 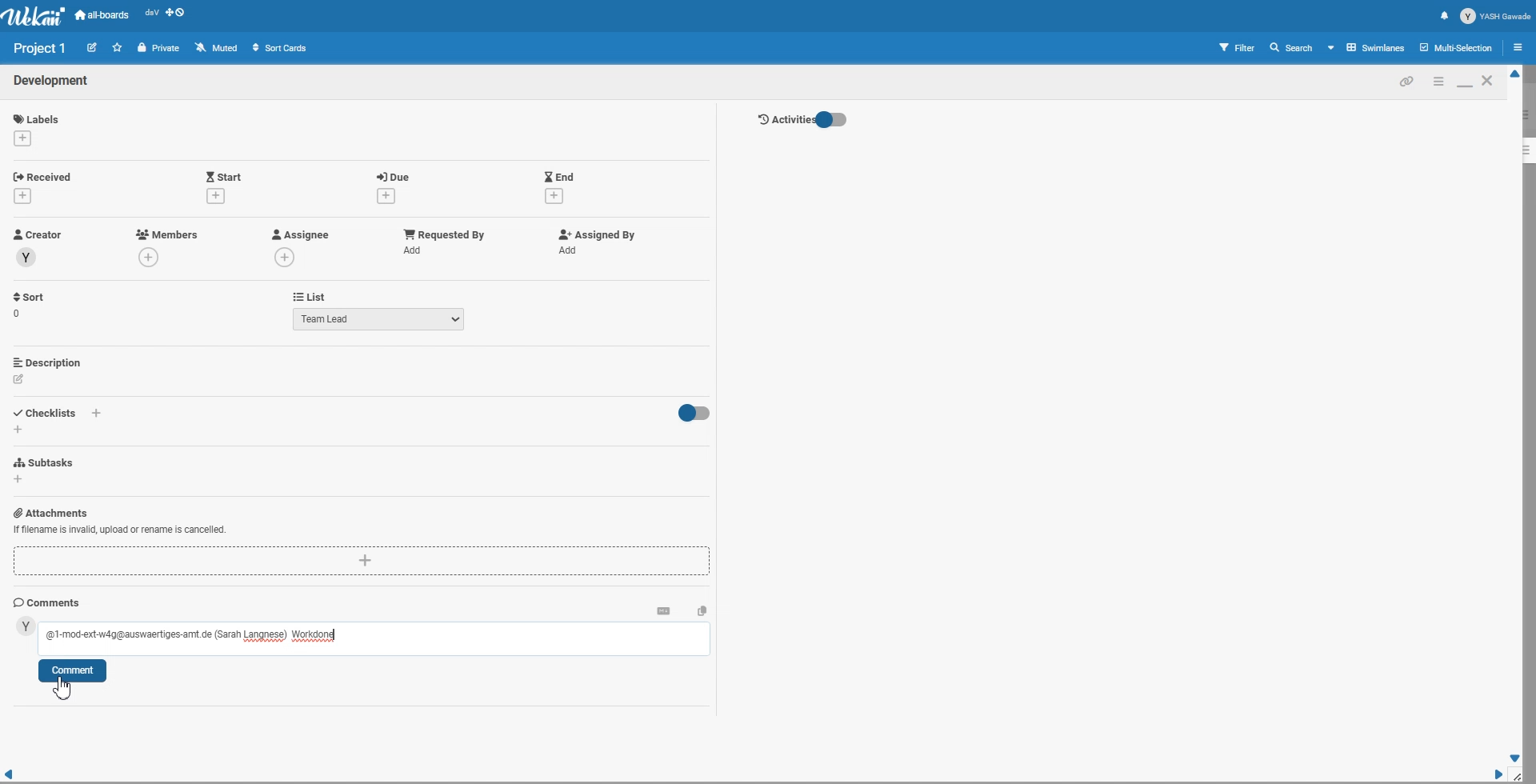 What do you see at coordinates (151, 258) in the screenshot?
I see `add` at bounding box center [151, 258].